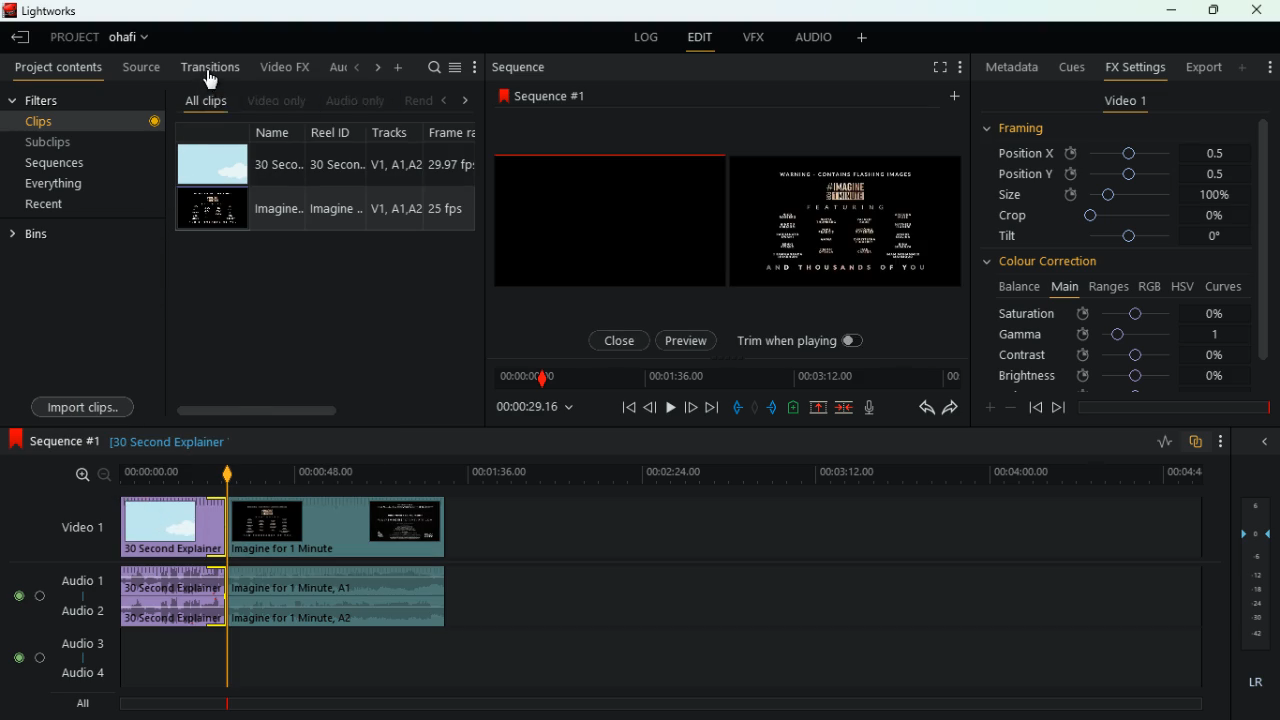 The image size is (1280, 720). Describe the element at coordinates (843, 408) in the screenshot. I see `join` at that location.